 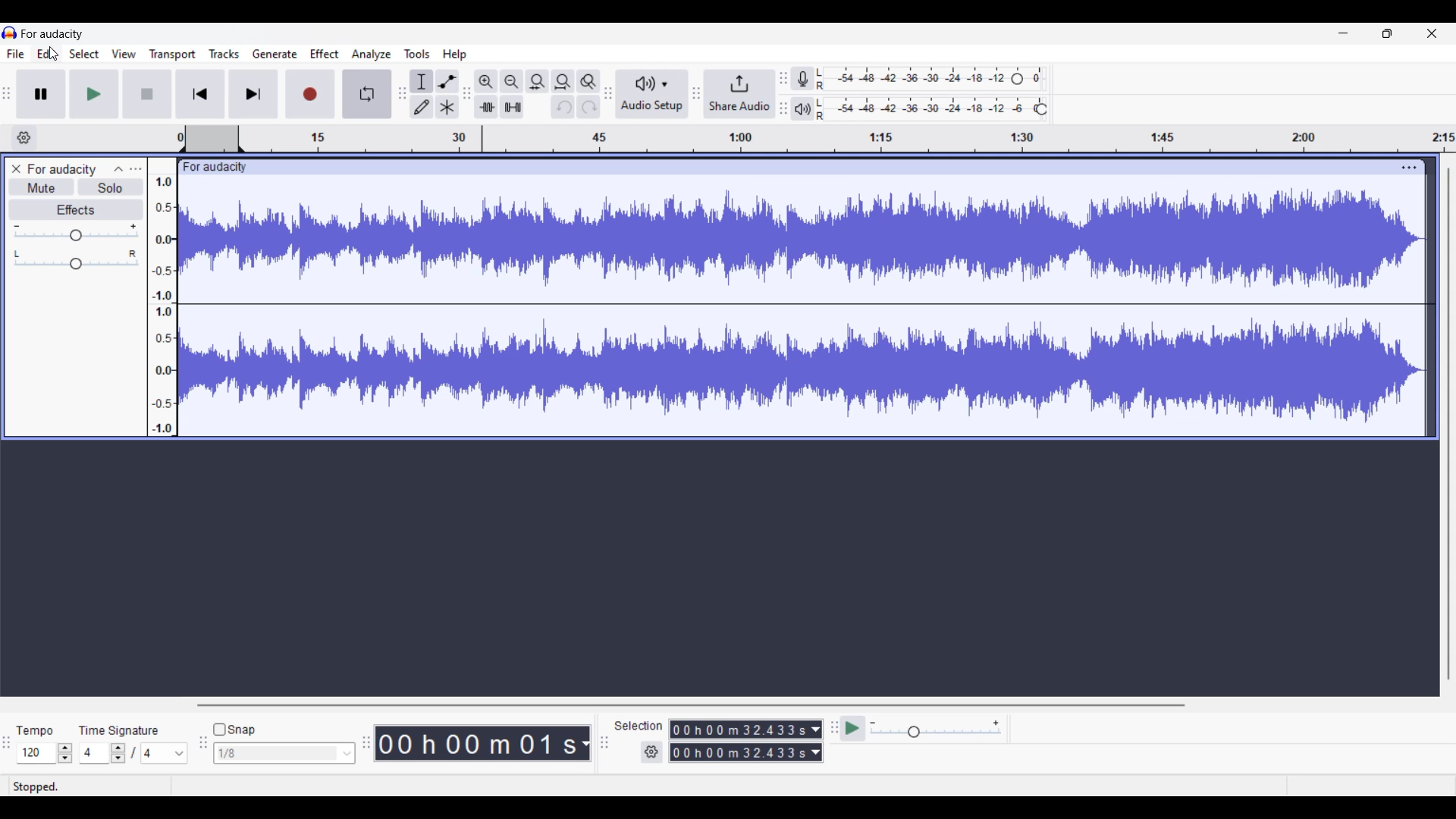 What do you see at coordinates (77, 209) in the screenshot?
I see `Effects` at bounding box center [77, 209].